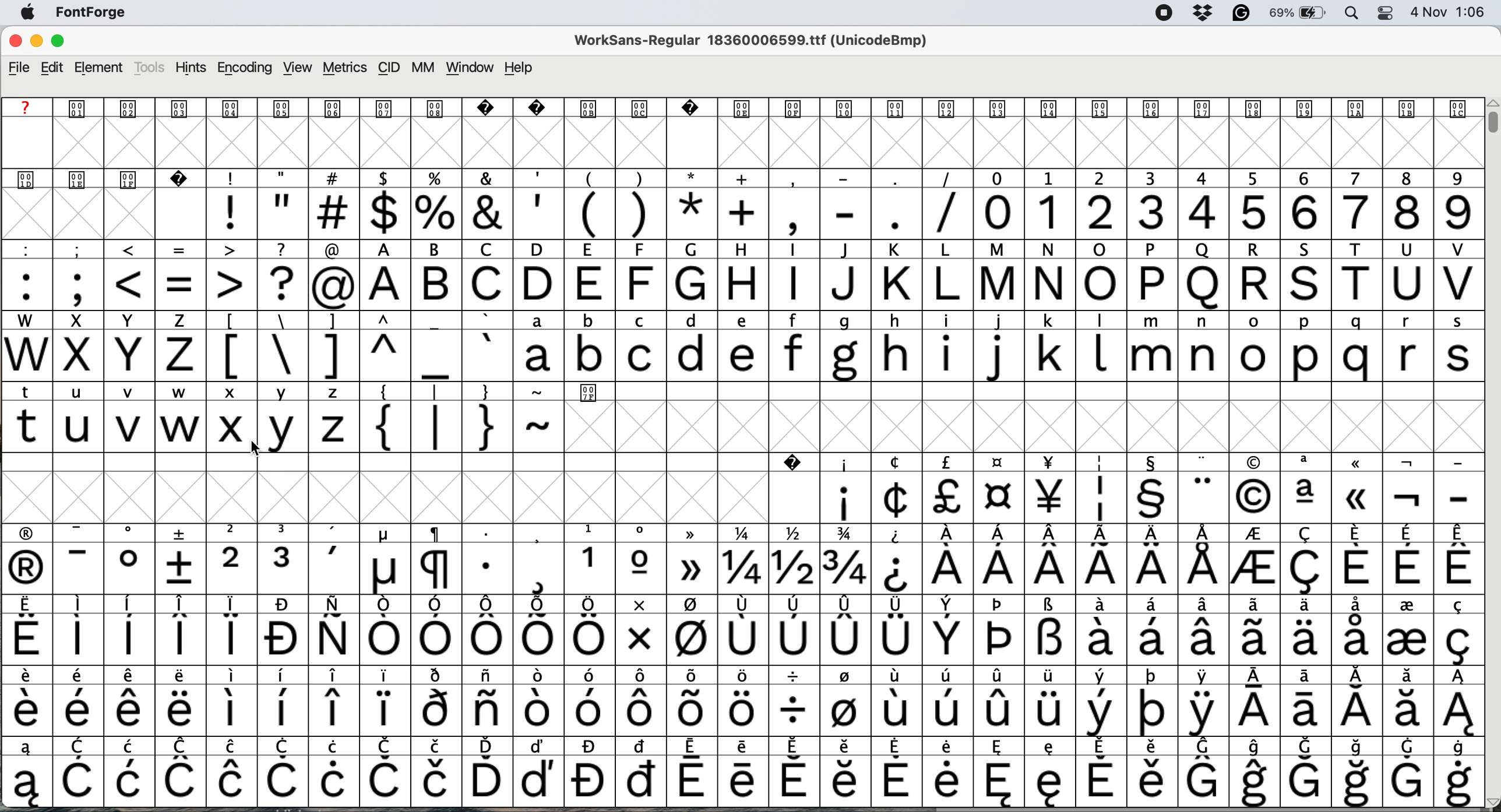 The height and width of the screenshot is (812, 1501). What do you see at coordinates (180, 284) in the screenshot?
I see `special characters` at bounding box center [180, 284].